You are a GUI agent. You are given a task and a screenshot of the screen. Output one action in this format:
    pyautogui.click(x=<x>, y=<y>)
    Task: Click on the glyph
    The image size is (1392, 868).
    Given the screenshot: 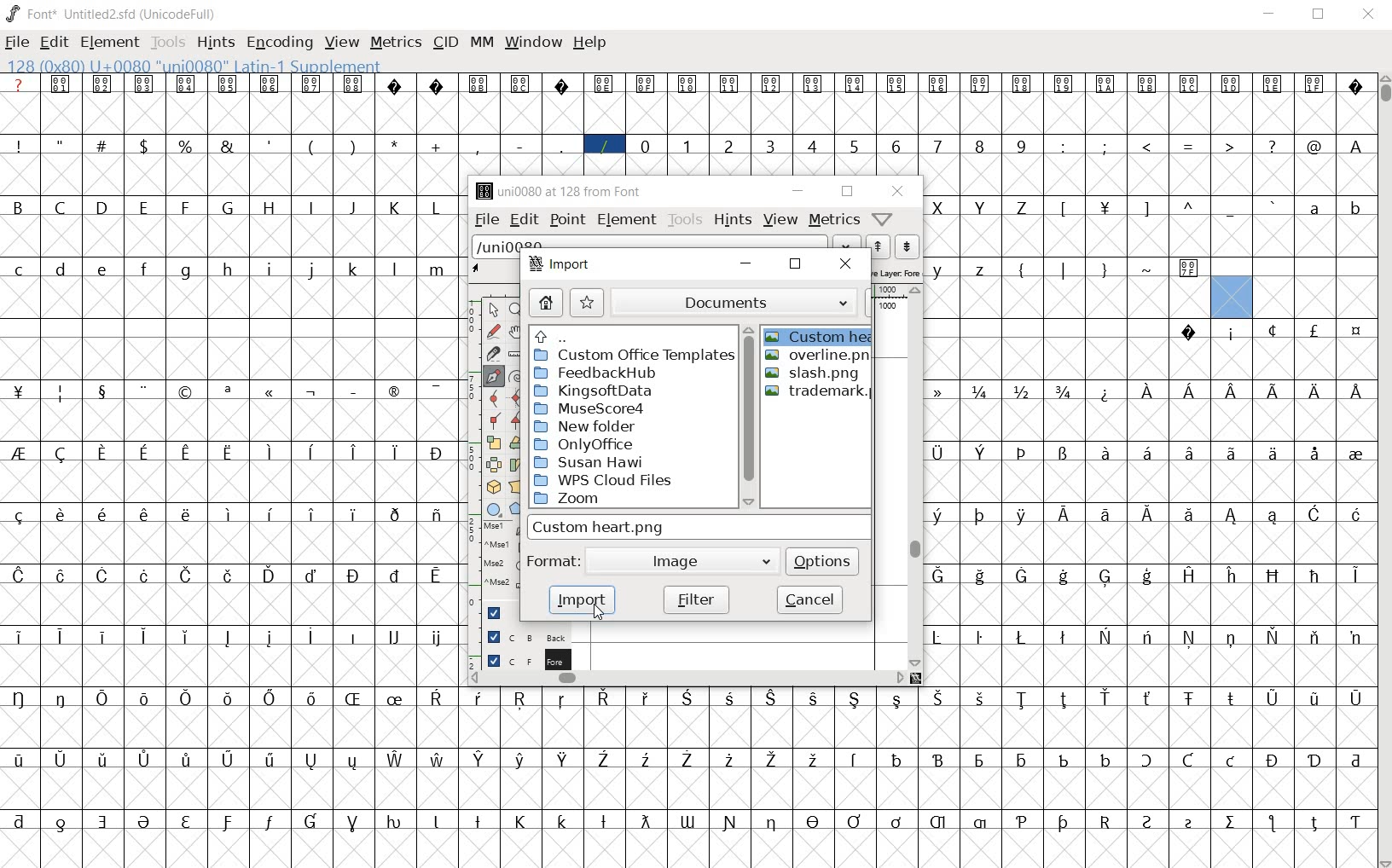 What is the action you would take?
    pyautogui.click(x=61, y=394)
    